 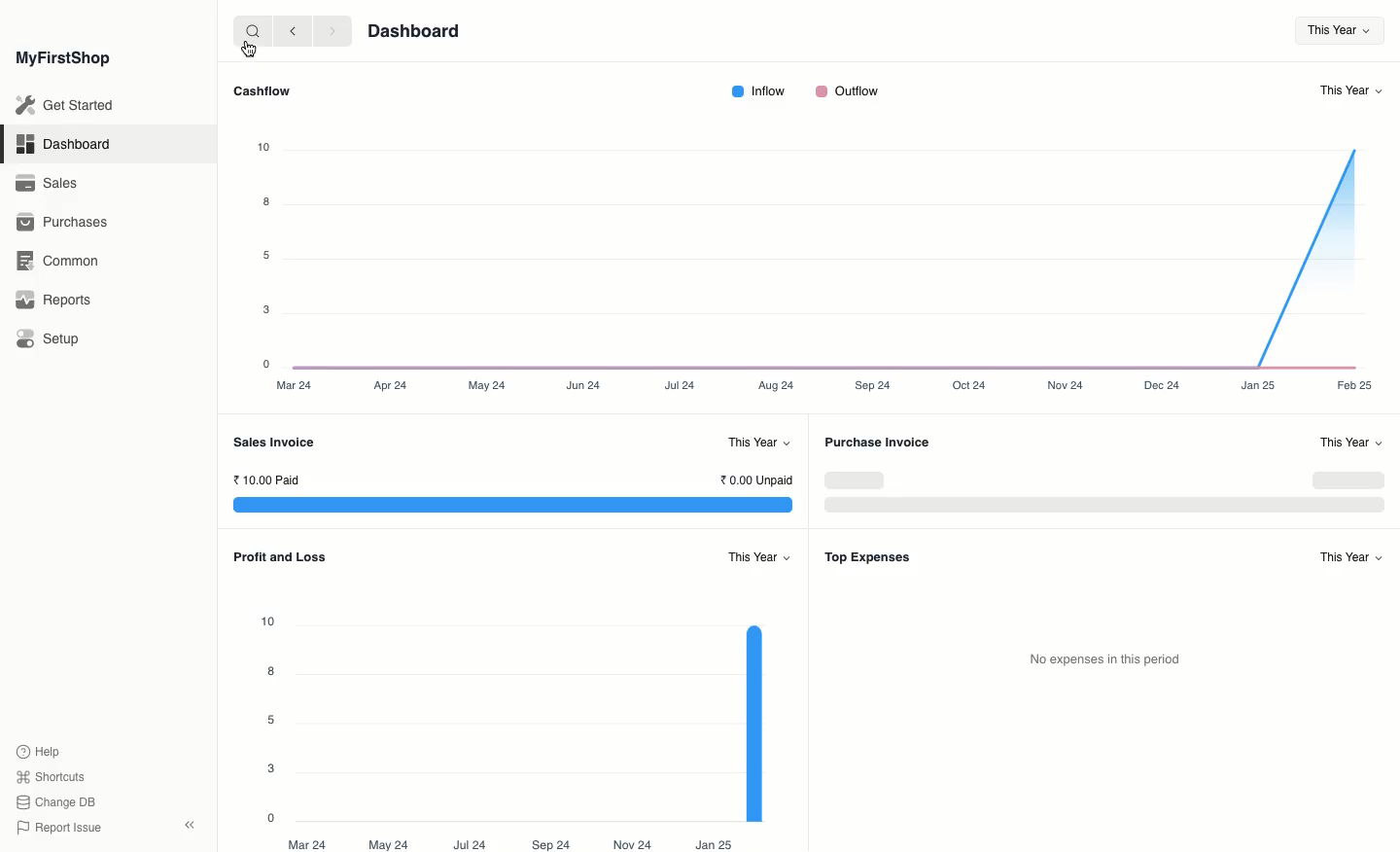 What do you see at coordinates (280, 558) in the screenshot?
I see `Profit and Loss` at bounding box center [280, 558].